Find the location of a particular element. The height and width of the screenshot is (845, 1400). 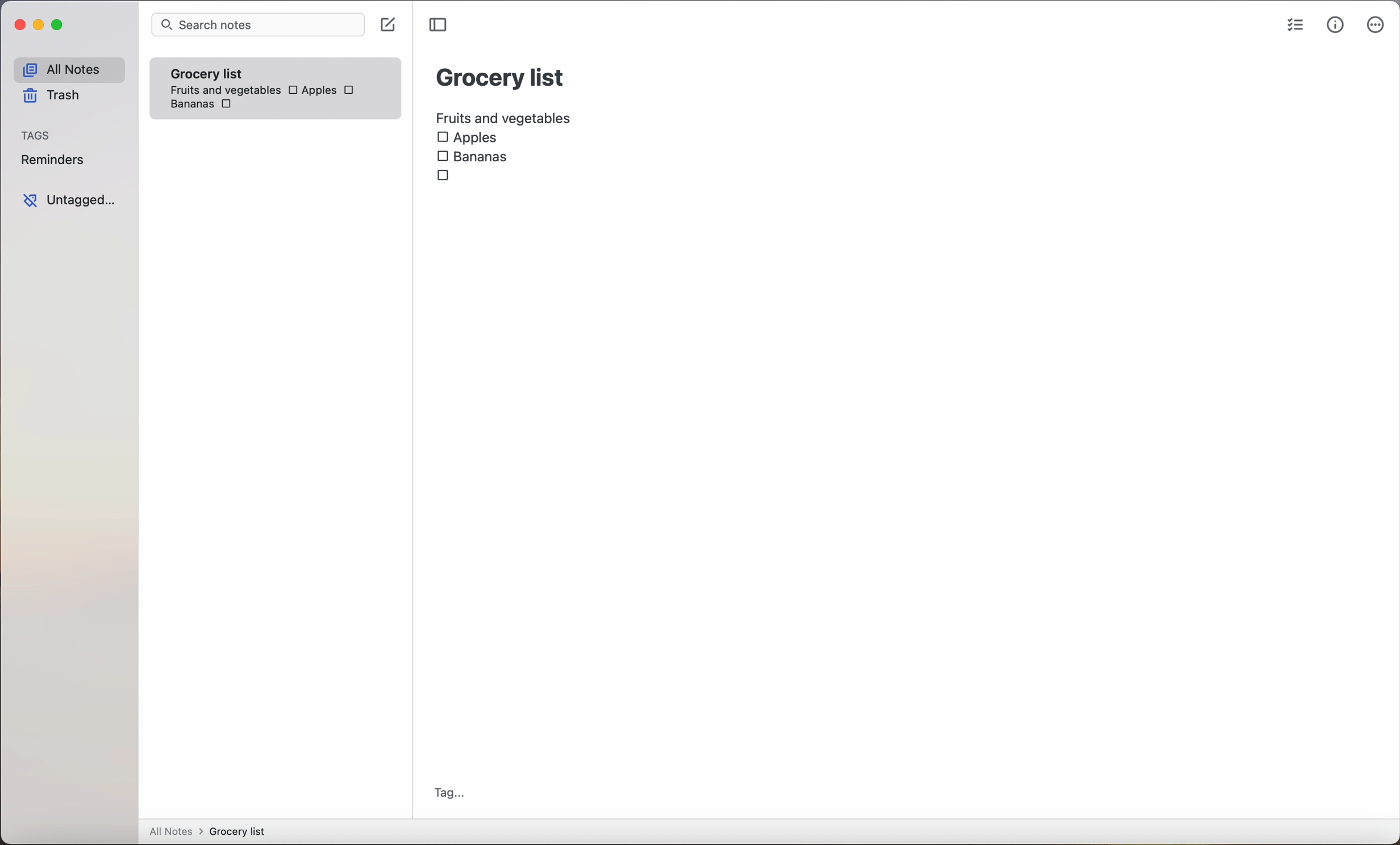

fruits and vegetables is located at coordinates (509, 115).